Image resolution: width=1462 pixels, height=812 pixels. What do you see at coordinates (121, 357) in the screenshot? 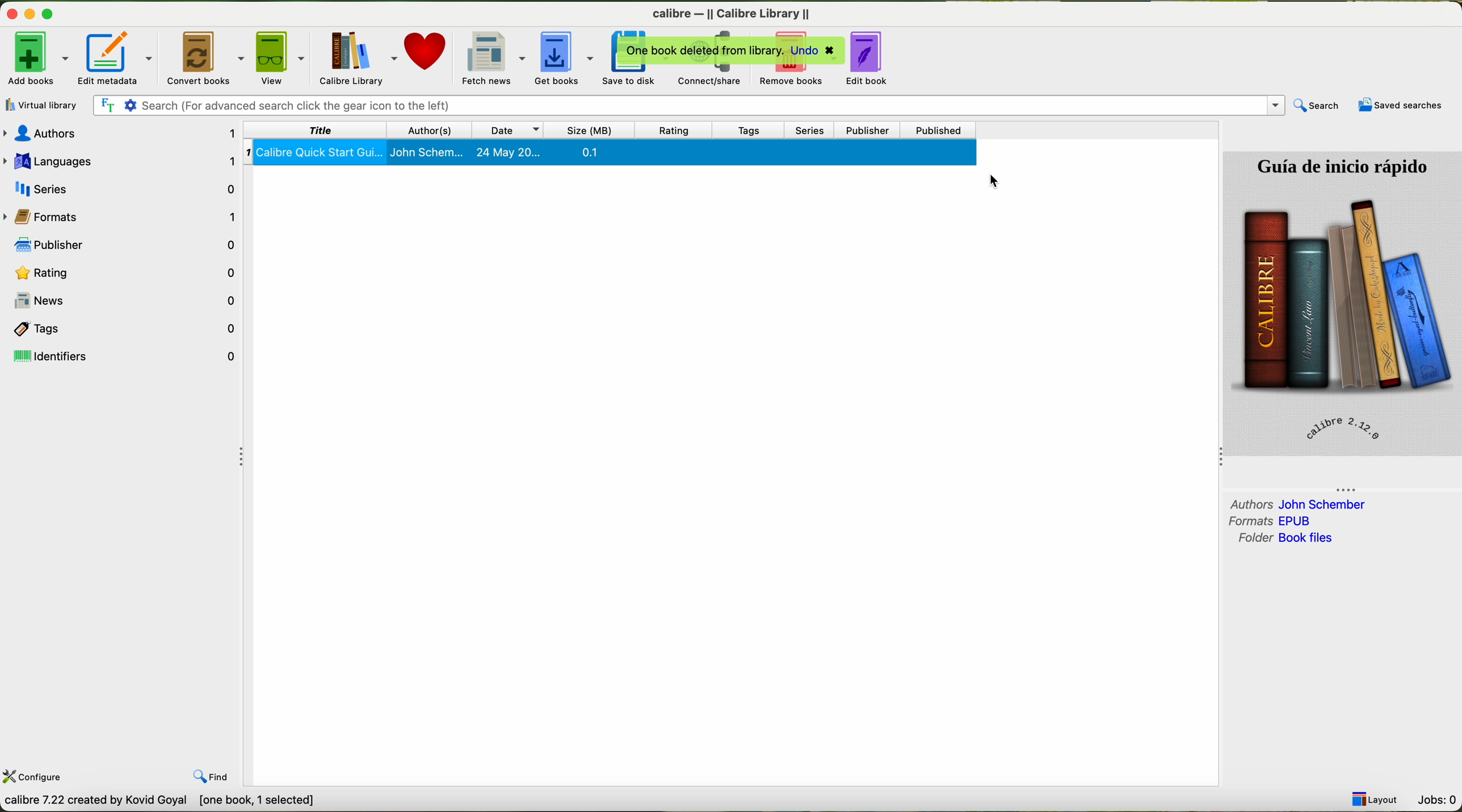
I see `identifiers` at bounding box center [121, 357].